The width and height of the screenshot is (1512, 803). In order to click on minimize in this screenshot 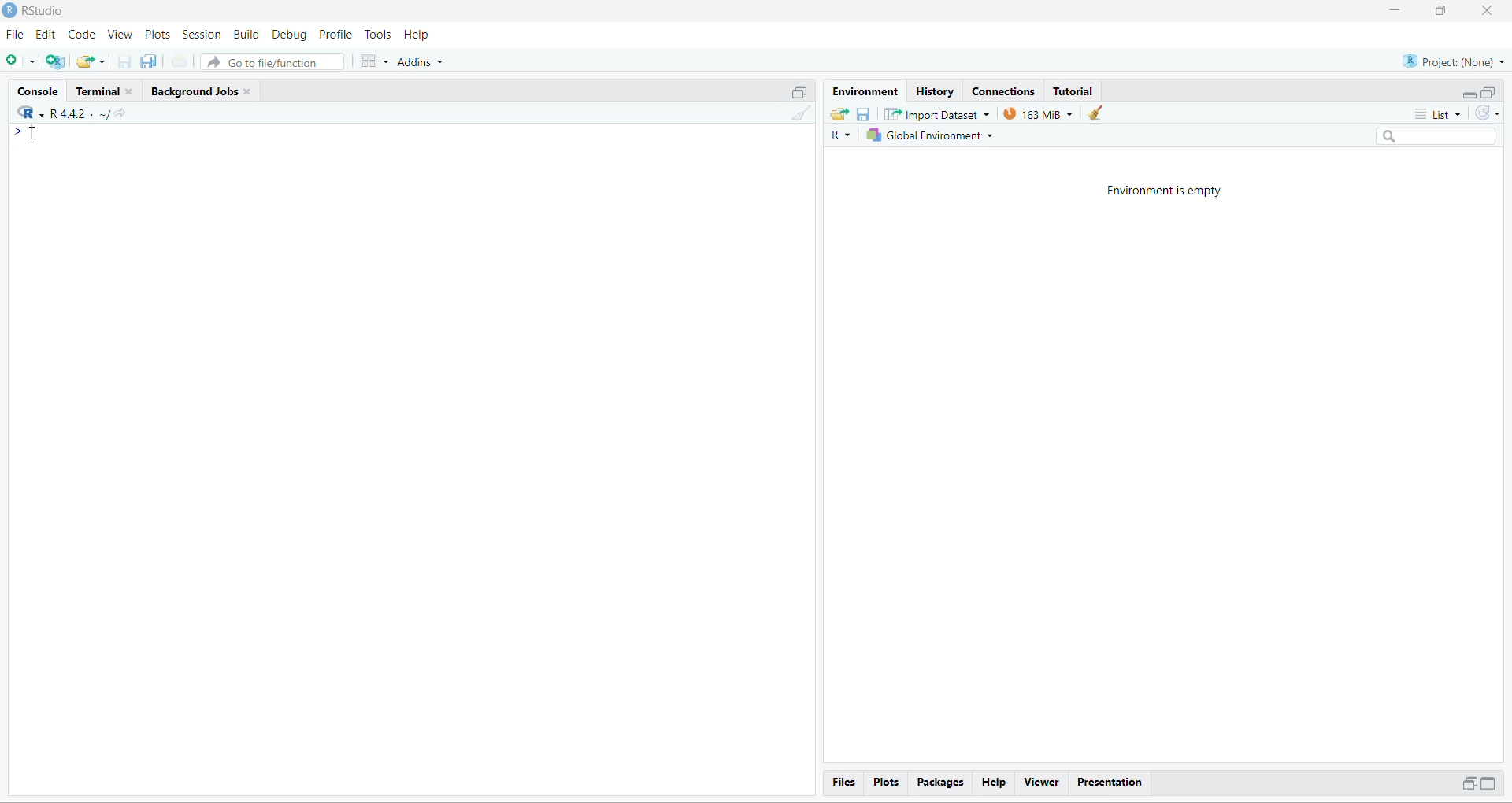, I will do `click(1469, 96)`.